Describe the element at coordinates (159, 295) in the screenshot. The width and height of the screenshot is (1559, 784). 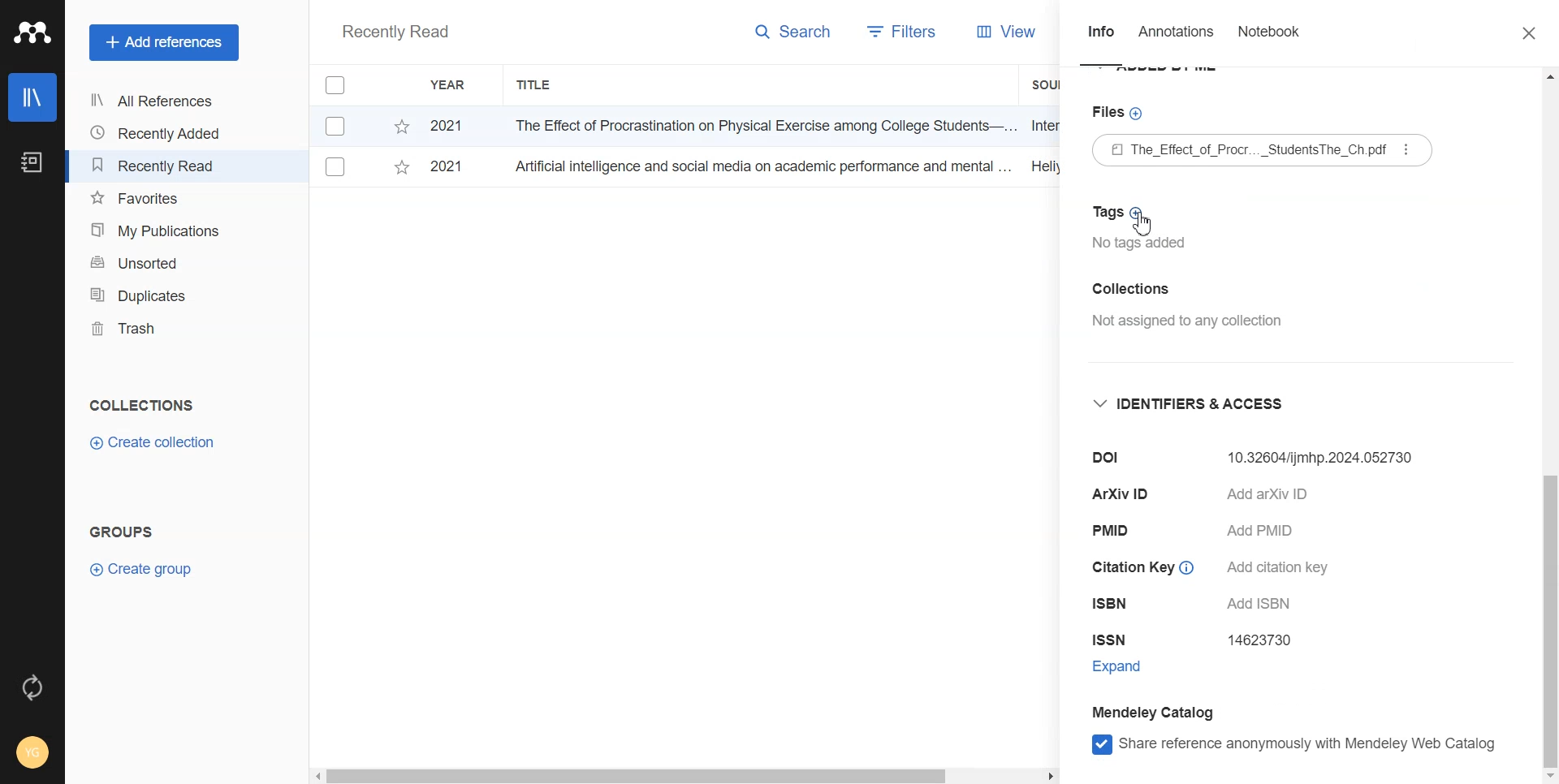
I see `Duplicates` at that location.